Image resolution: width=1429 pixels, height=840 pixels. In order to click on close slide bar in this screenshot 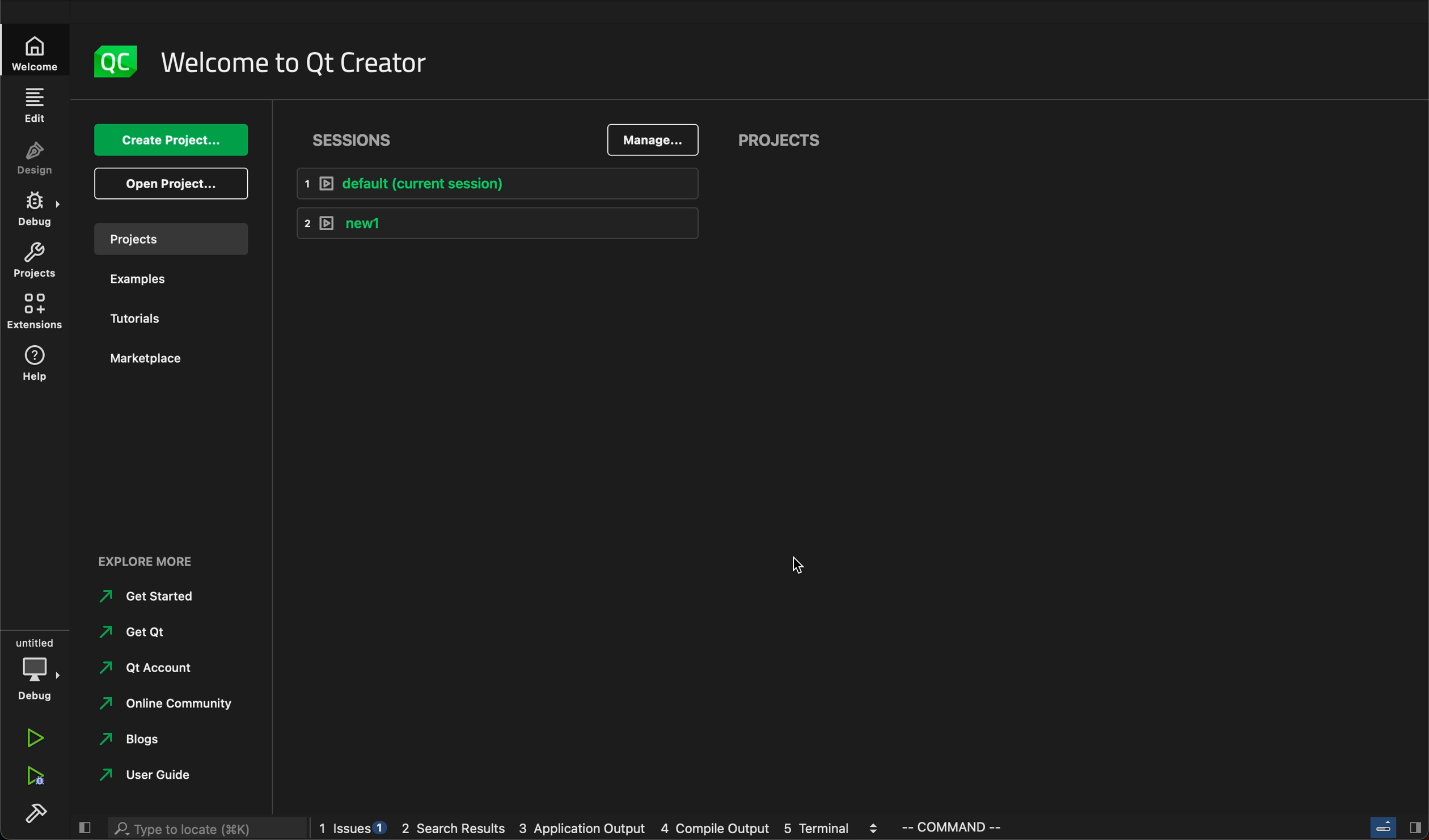, I will do `click(84, 826)`.